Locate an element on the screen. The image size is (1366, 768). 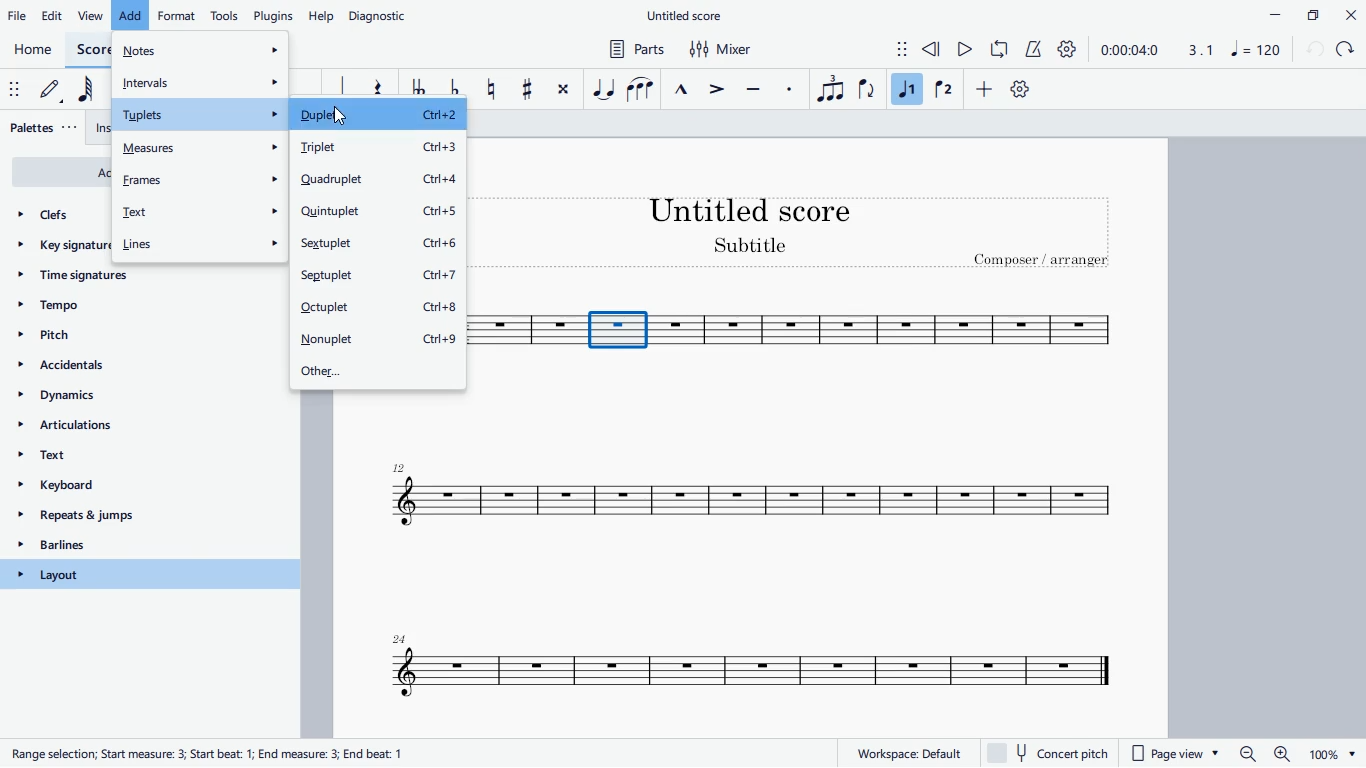
intervals is located at coordinates (200, 80).